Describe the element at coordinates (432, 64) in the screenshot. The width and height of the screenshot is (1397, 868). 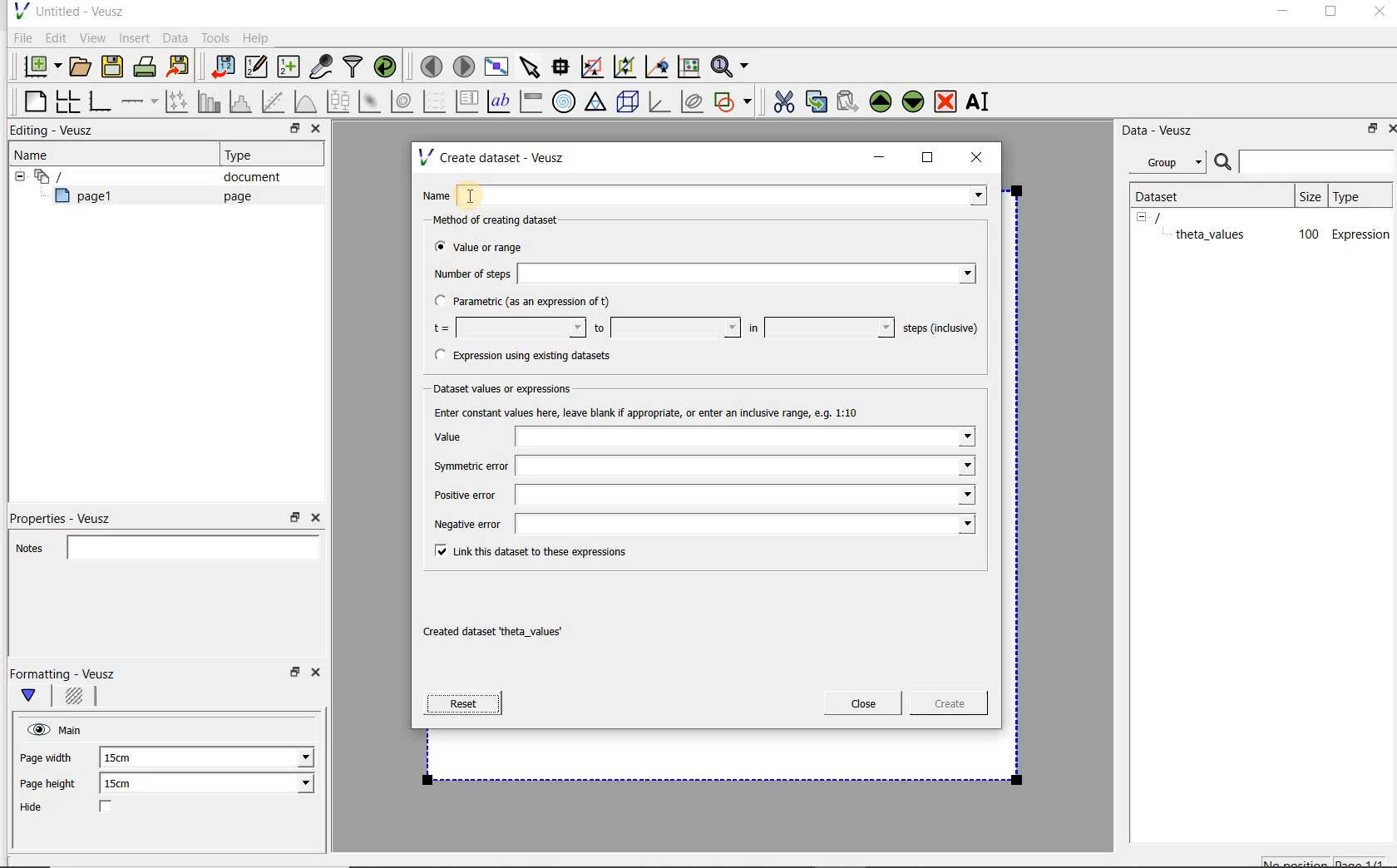
I see `move to the previous page` at that location.